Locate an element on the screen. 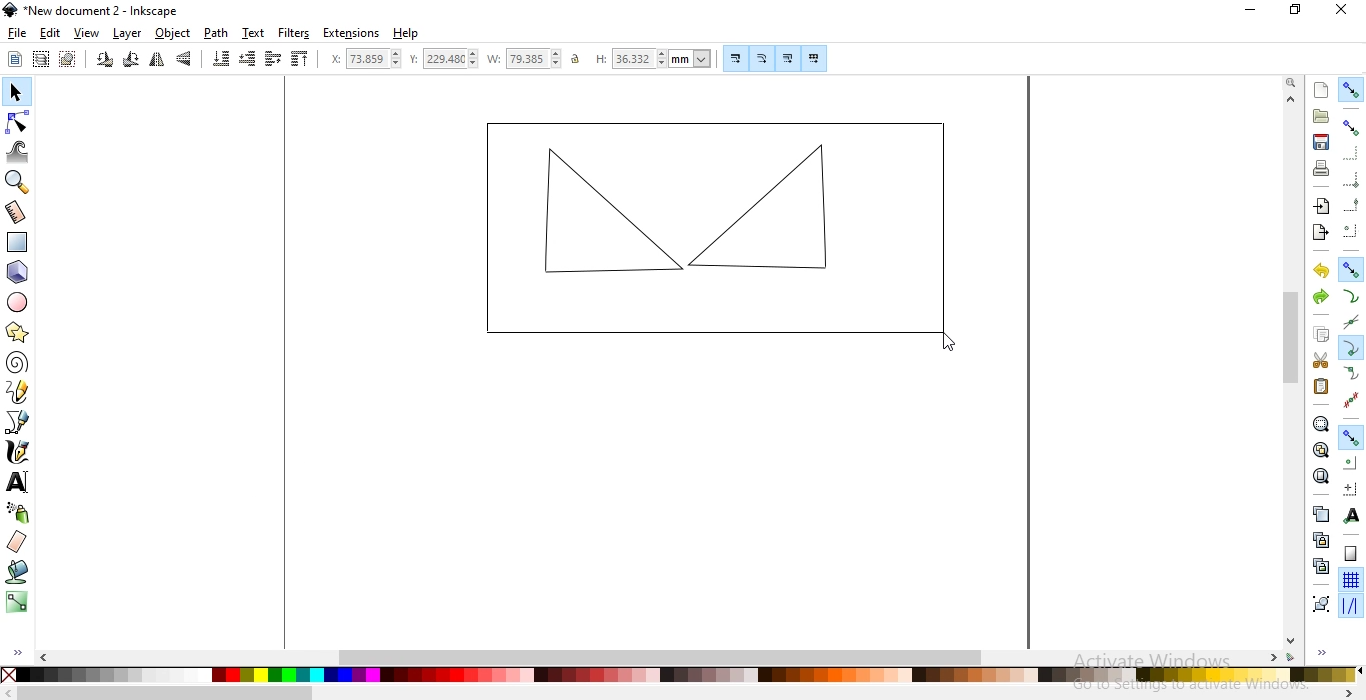  zoom to fit selection in window is located at coordinates (1321, 424).